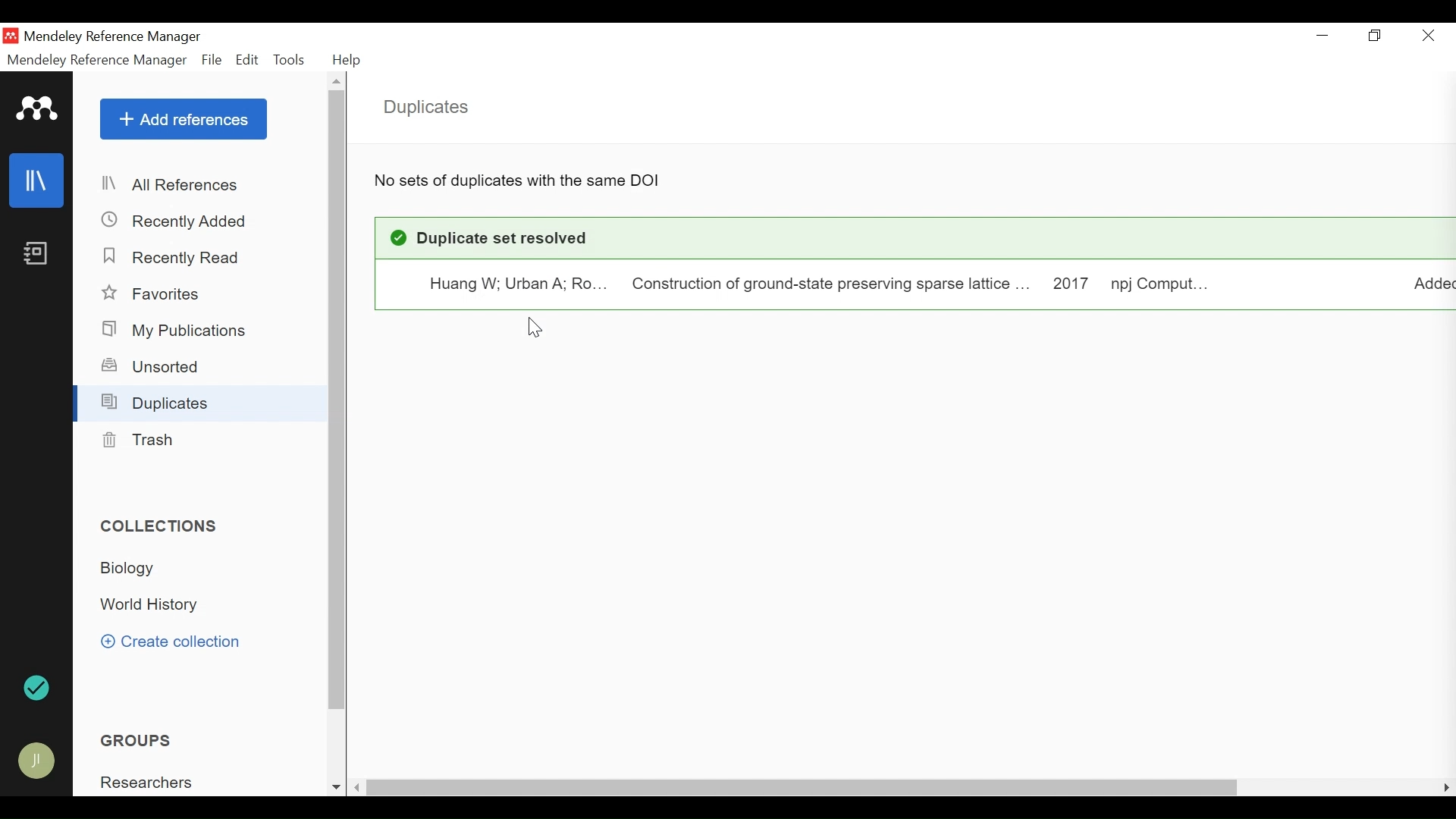 This screenshot has height=819, width=1456. I want to click on Scroll Left, so click(356, 789).